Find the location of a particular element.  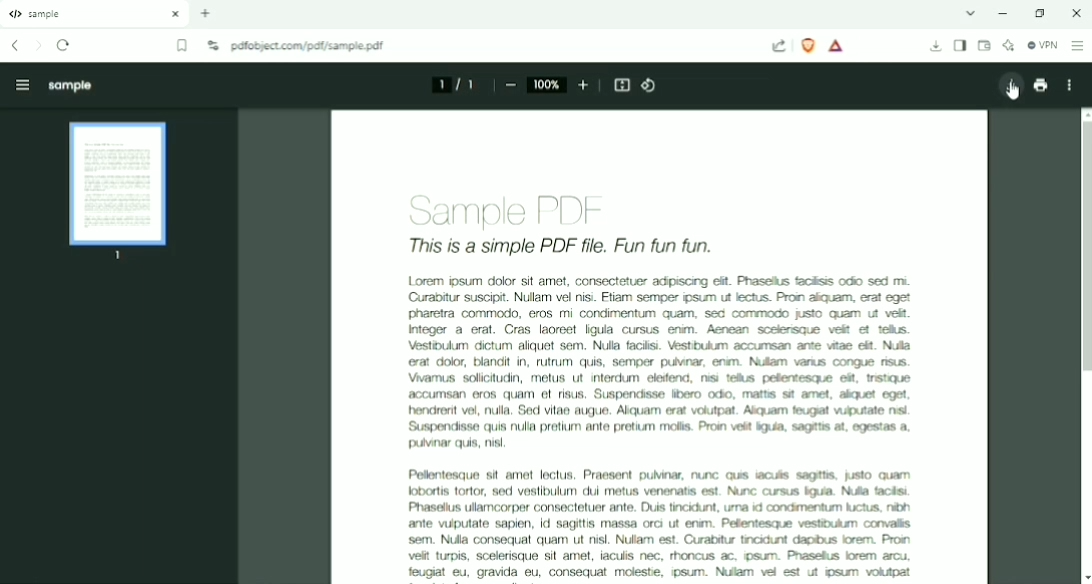

Site is located at coordinates (311, 47).